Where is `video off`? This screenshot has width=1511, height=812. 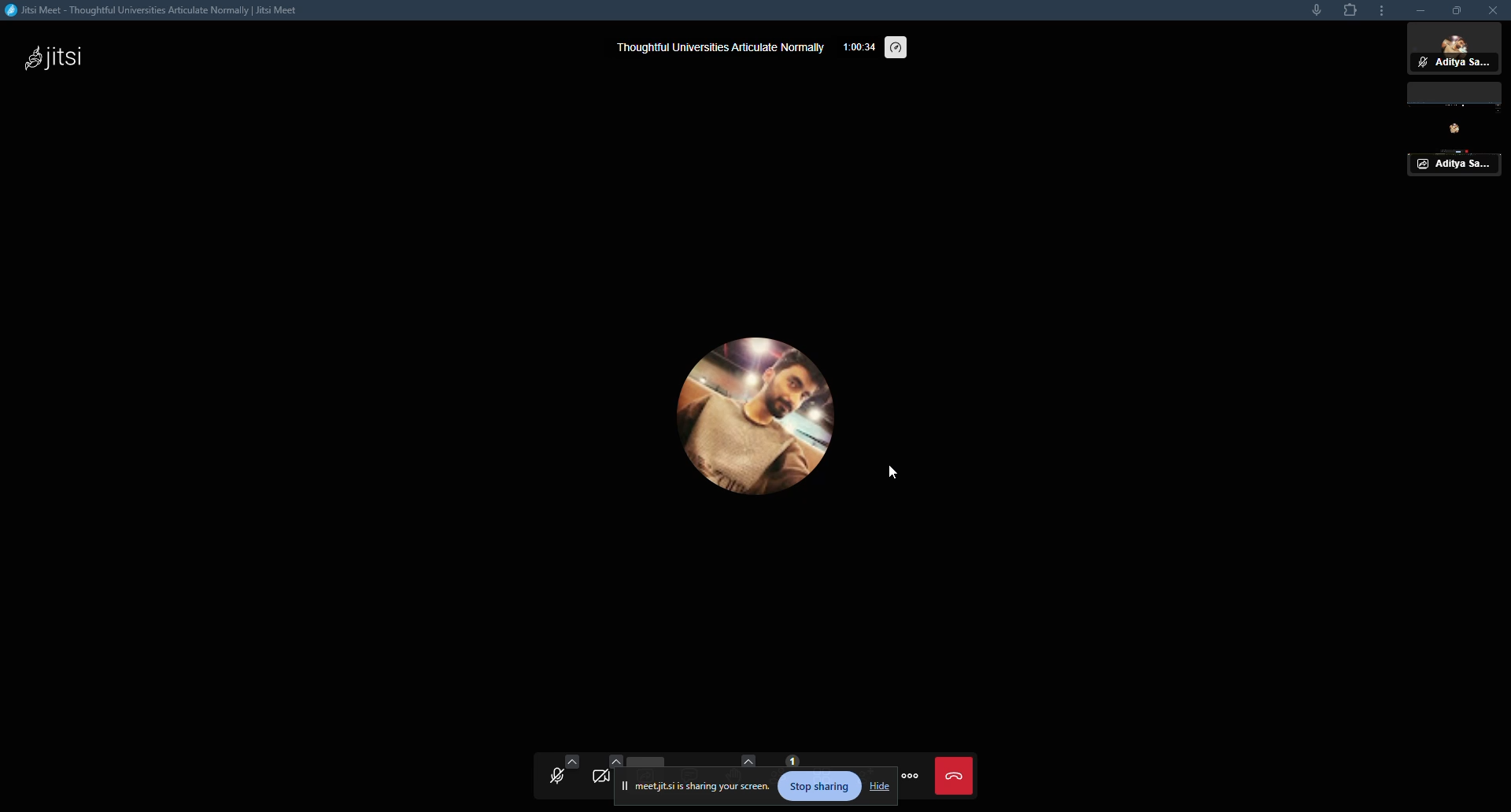 video off is located at coordinates (601, 778).